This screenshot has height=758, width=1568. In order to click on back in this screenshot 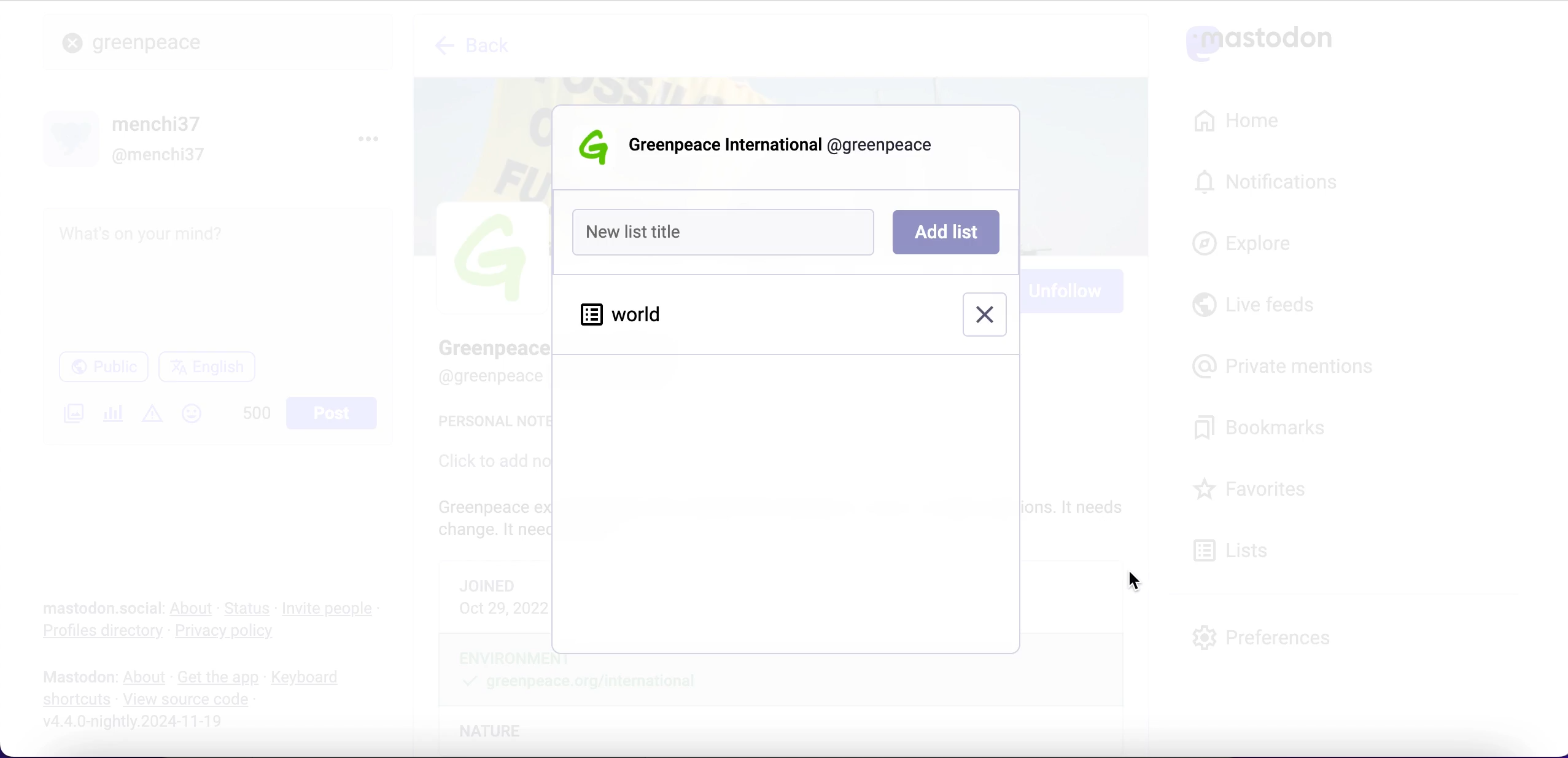, I will do `click(475, 49)`.